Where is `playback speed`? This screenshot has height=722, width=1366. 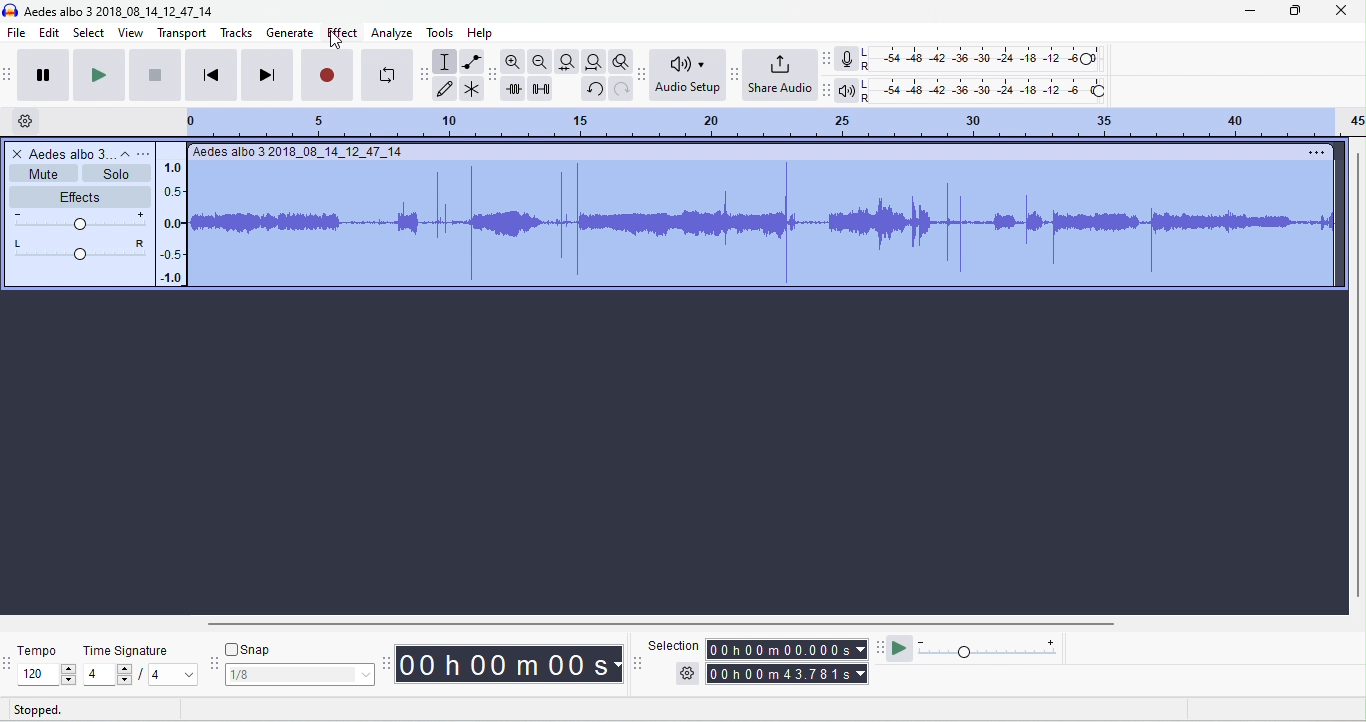
playback speed is located at coordinates (991, 649).